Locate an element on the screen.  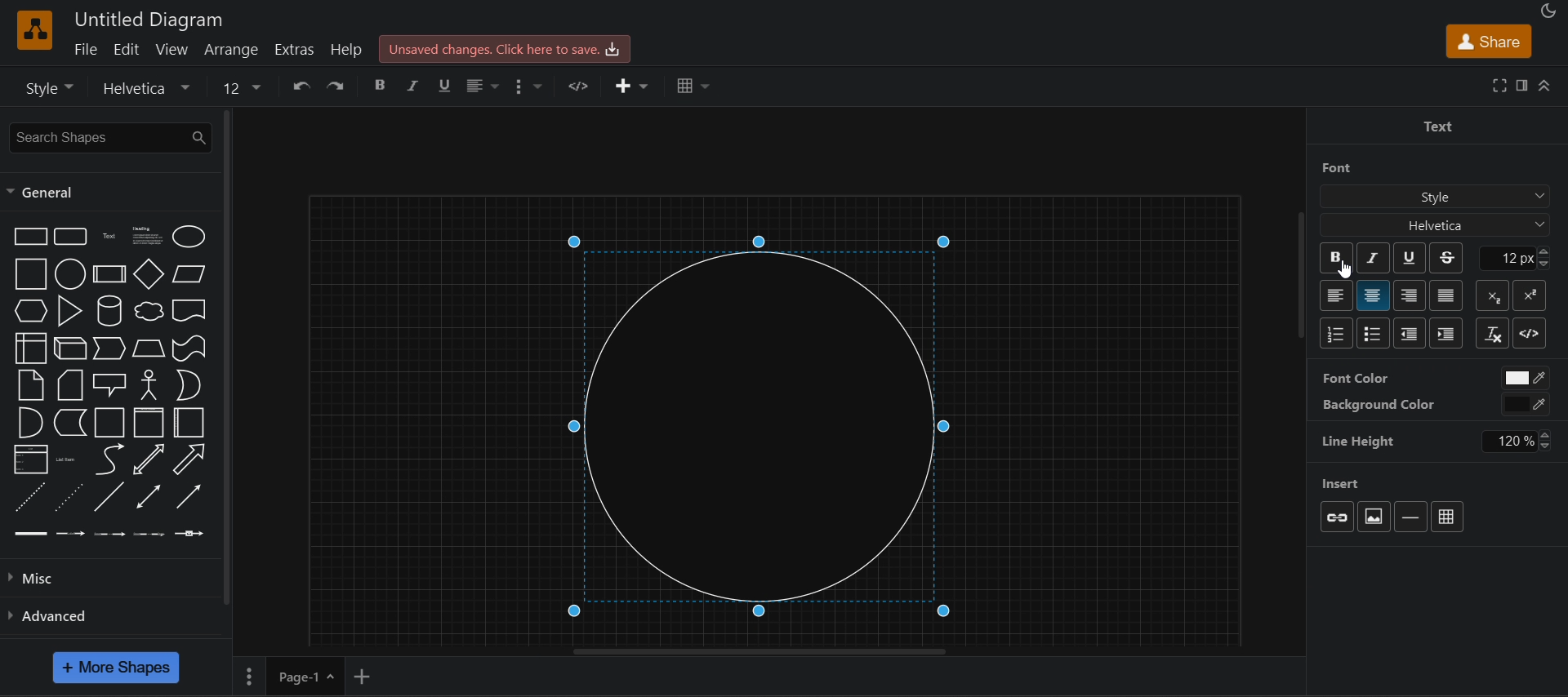
circle is located at coordinates (70, 275).